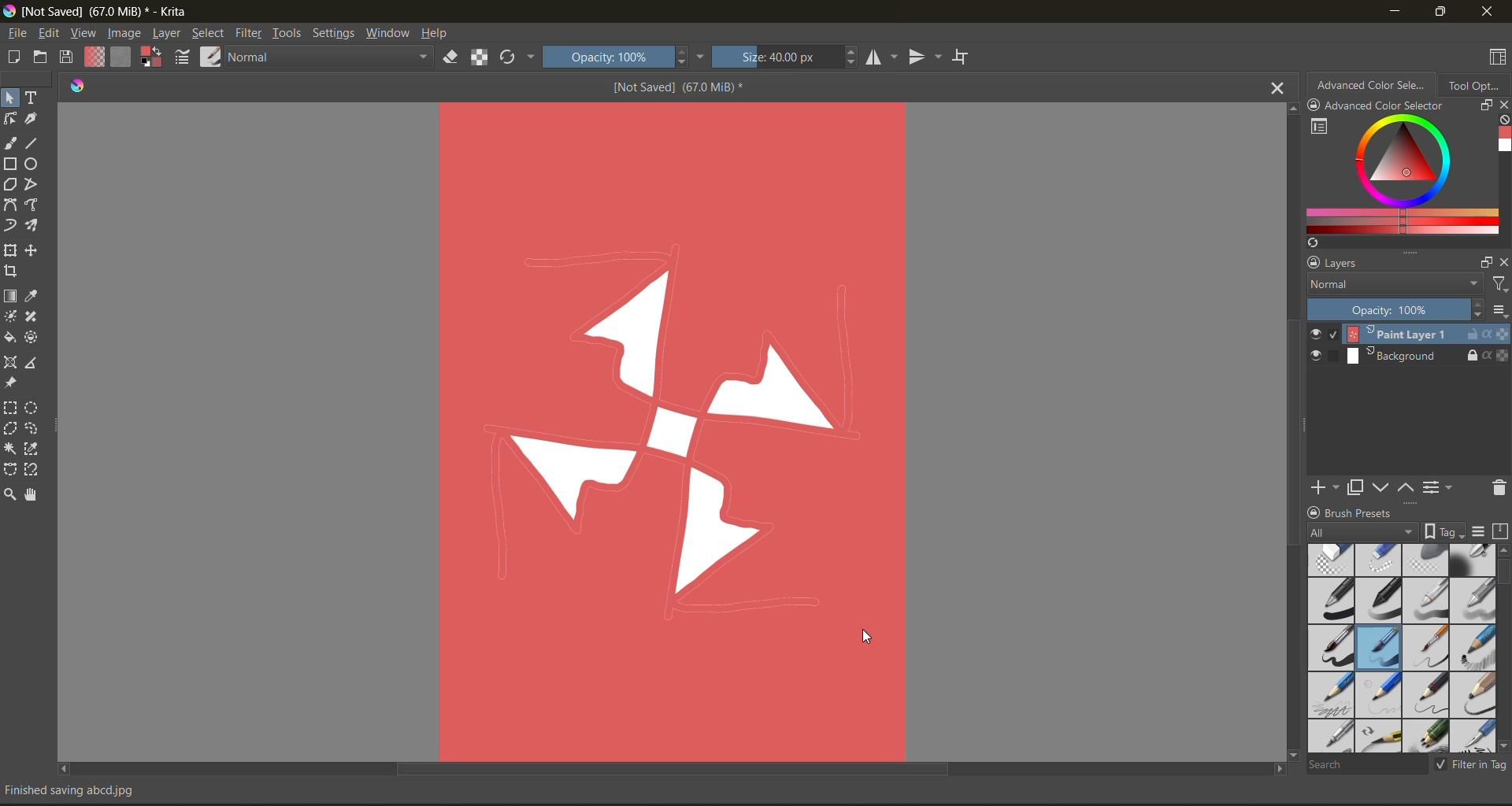 This screenshot has height=806, width=1512. I want to click on opacity, so click(1406, 311).